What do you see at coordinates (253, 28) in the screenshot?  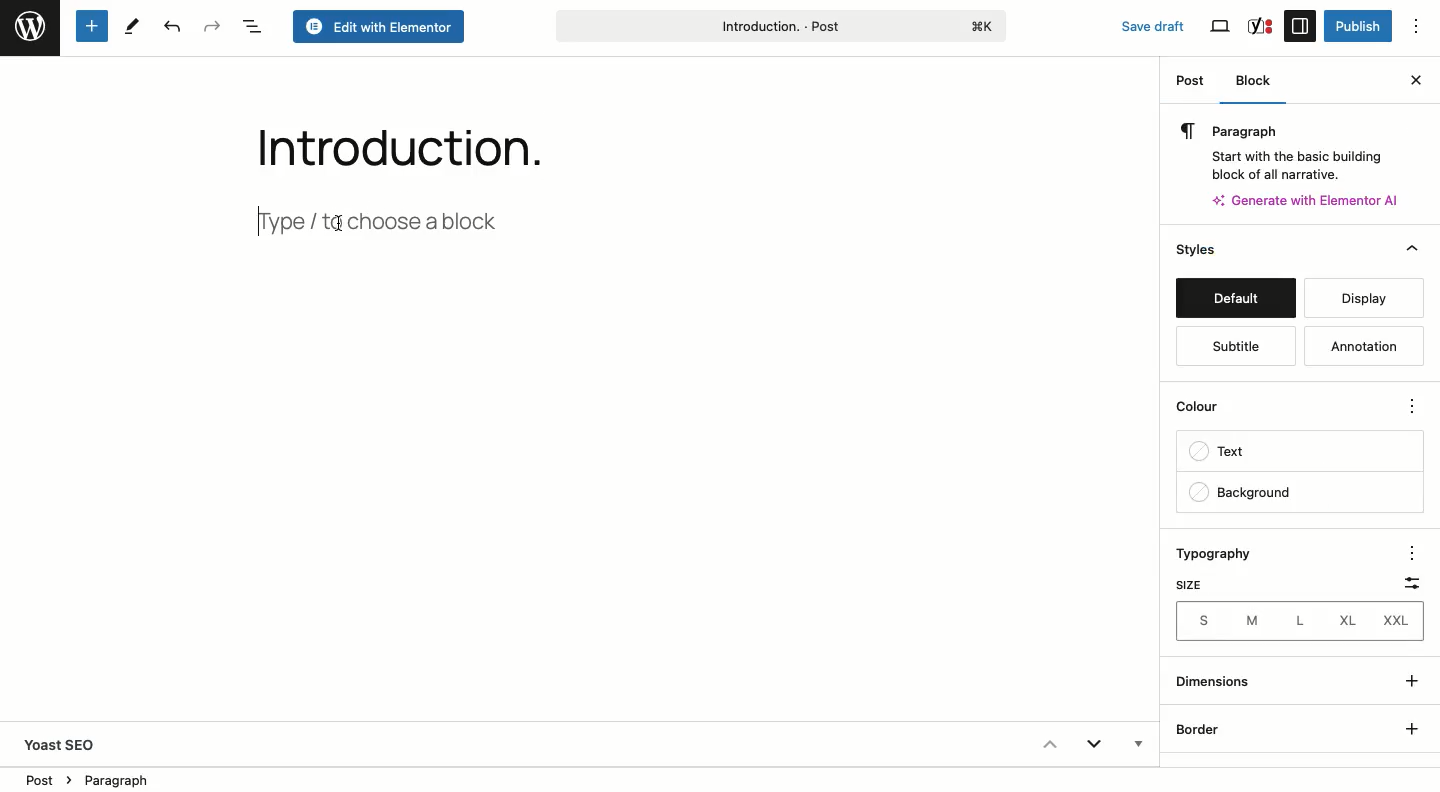 I see `Document overview` at bounding box center [253, 28].